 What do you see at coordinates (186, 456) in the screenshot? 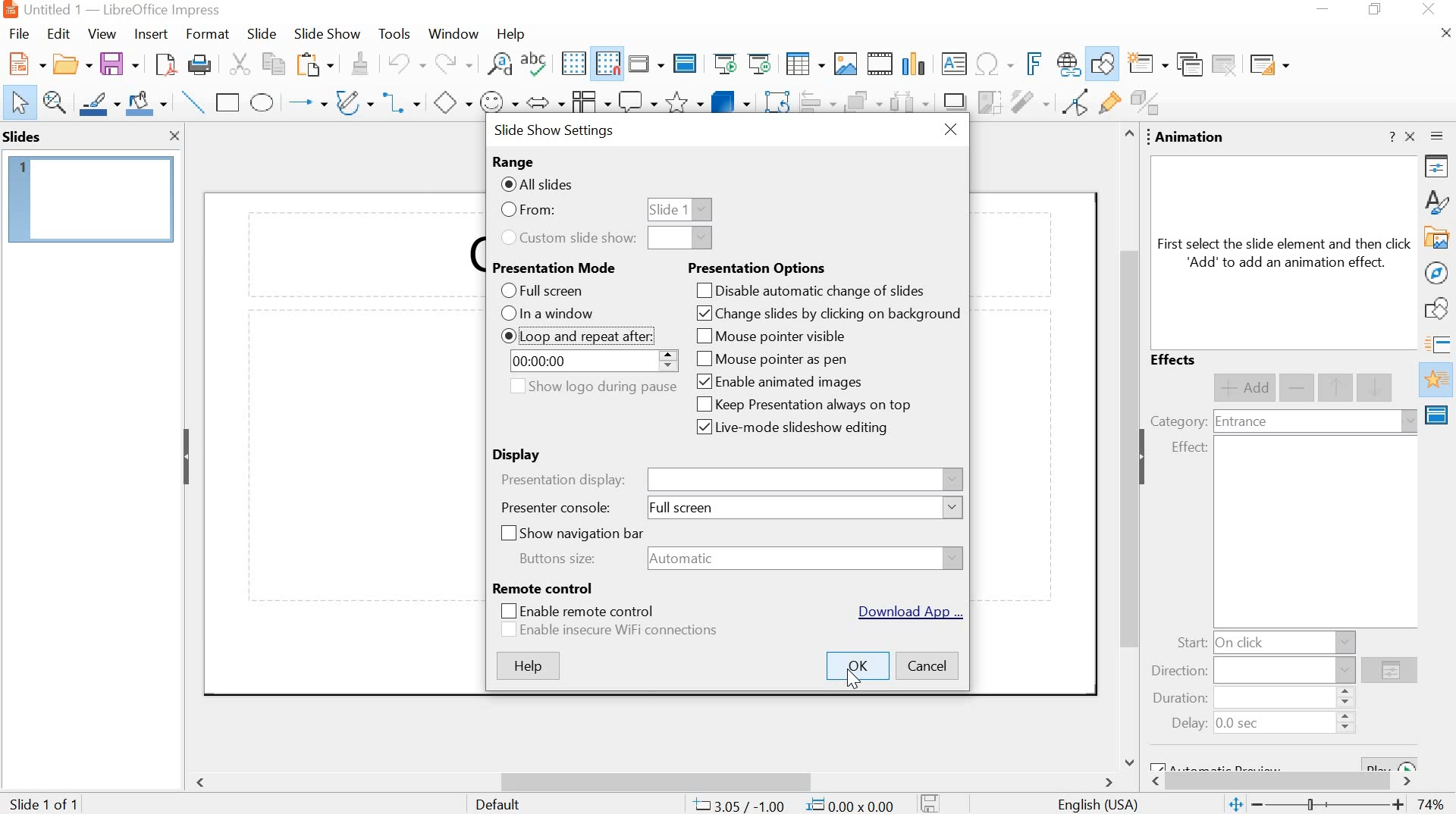
I see `collapse` at bounding box center [186, 456].